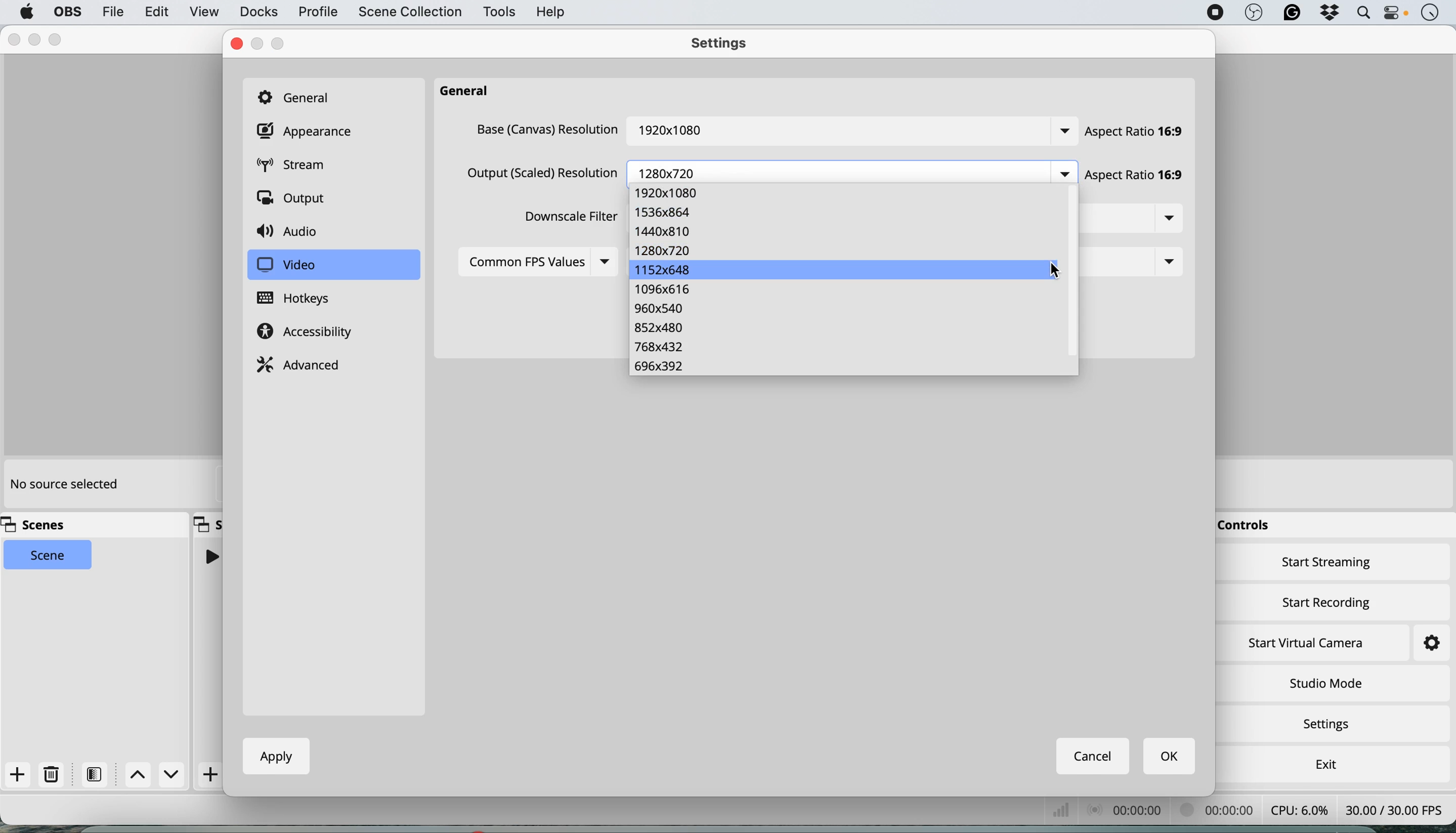 Image resolution: width=1456 pixels, height=833 pixels. What do you see at coordinates (58, 39) in the screenshot?
I see `maximise` at bounding box center [58, 39].